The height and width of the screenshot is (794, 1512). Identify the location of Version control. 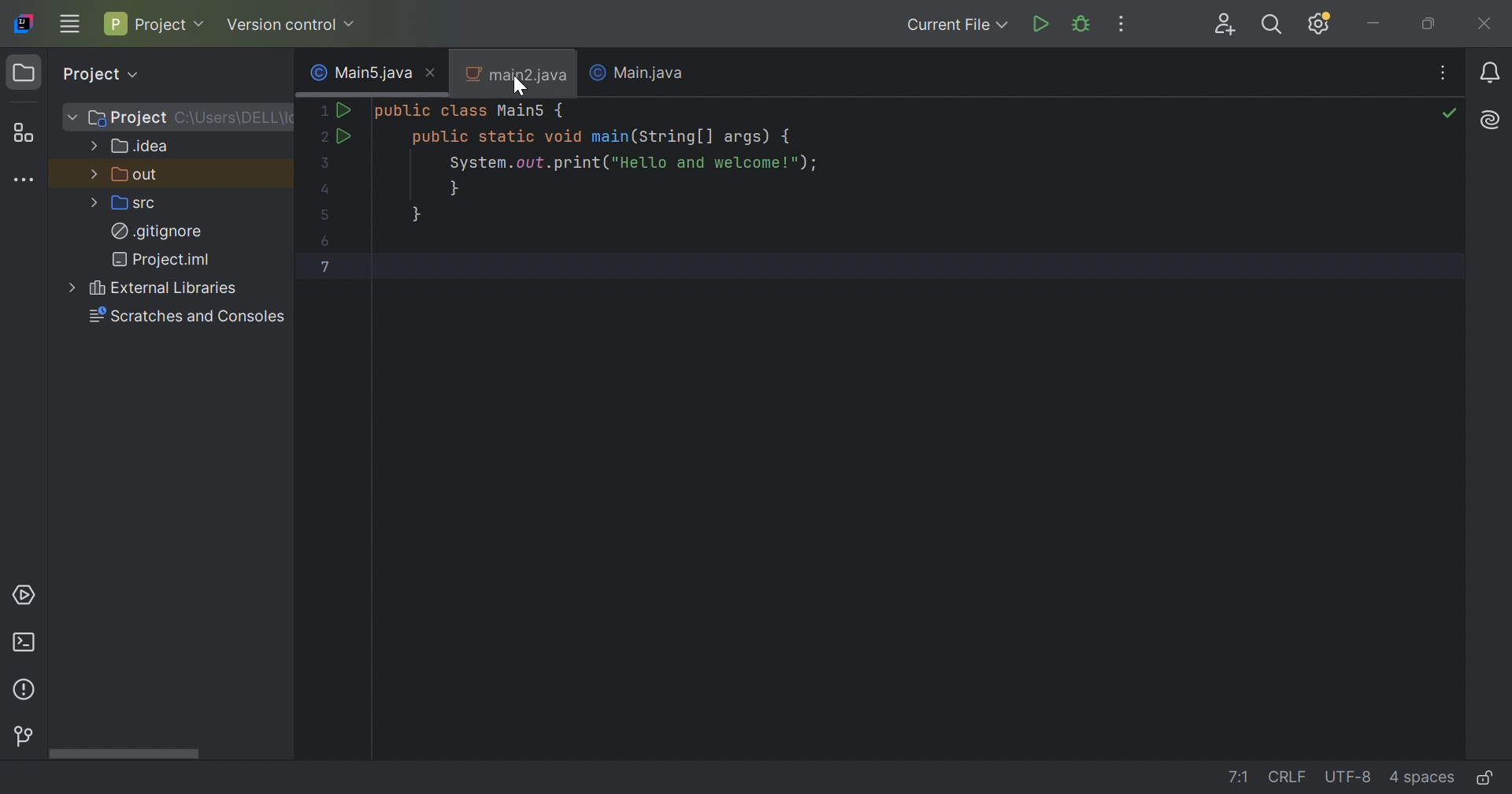
(291, 25).